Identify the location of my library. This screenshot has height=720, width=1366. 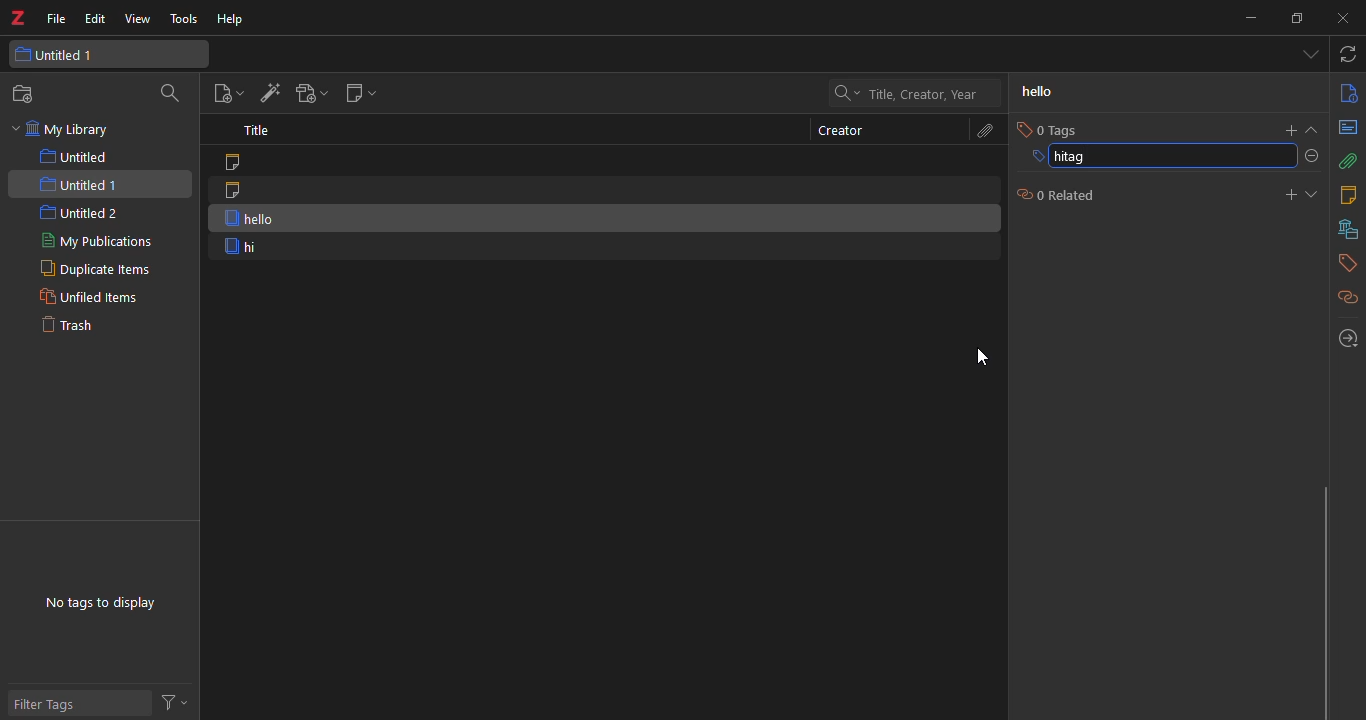
(67, 130).